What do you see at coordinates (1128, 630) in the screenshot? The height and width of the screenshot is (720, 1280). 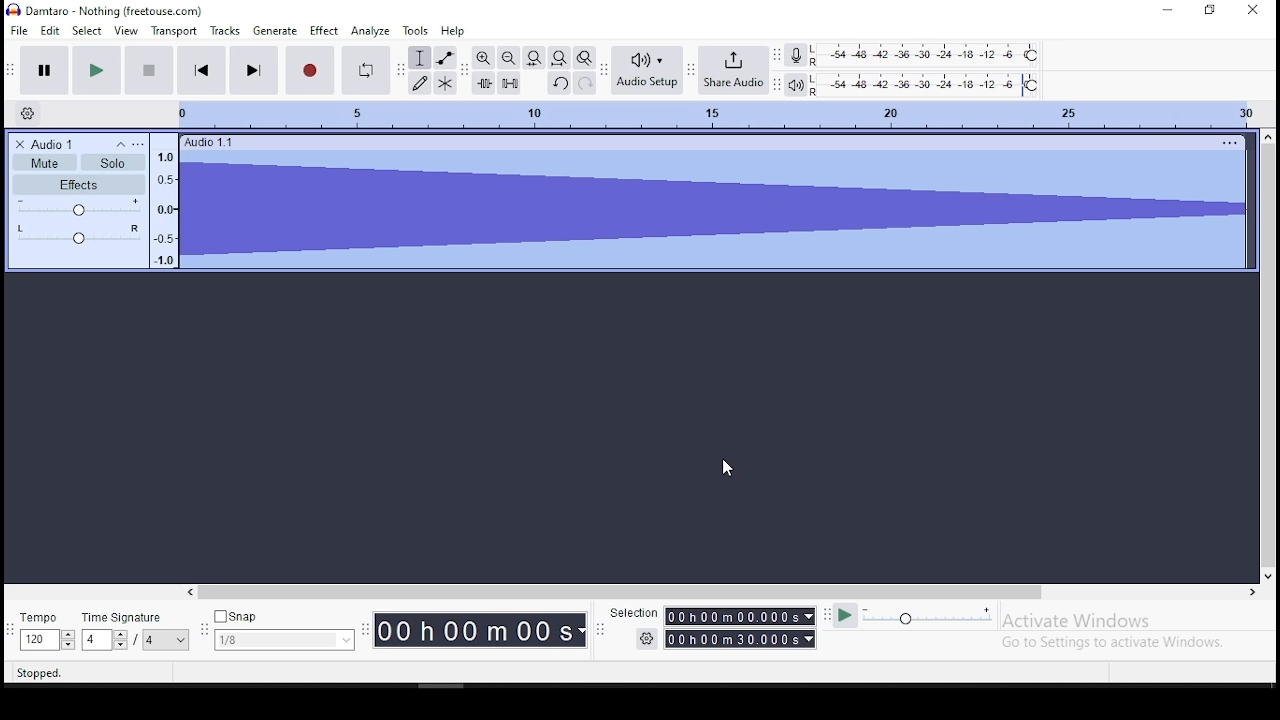 I see `activate windows` at bounding box center [1128, 630].